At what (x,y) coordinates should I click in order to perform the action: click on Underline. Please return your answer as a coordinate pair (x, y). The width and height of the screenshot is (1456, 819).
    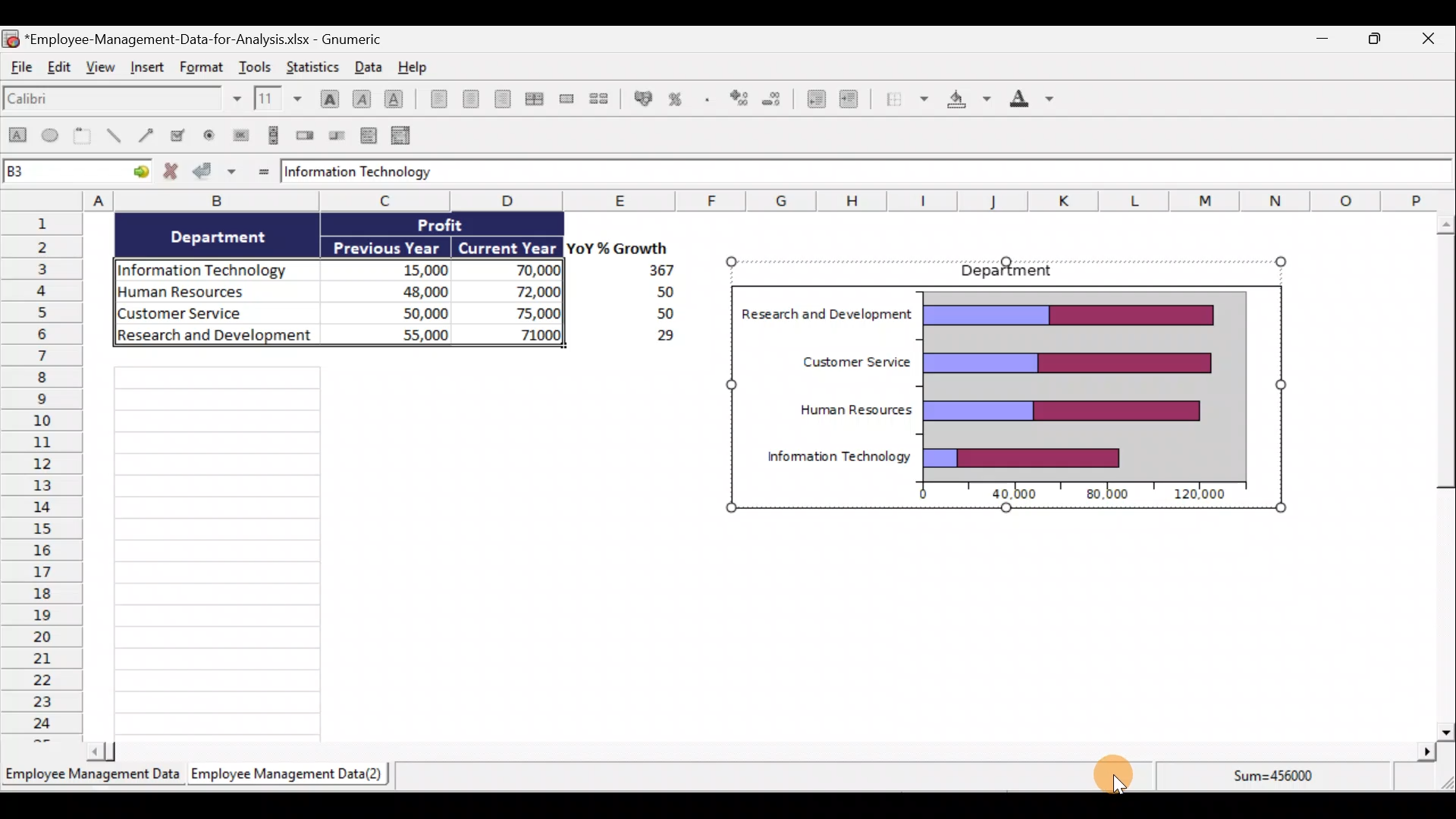
    Looking at the image, I should click on (397, 102).